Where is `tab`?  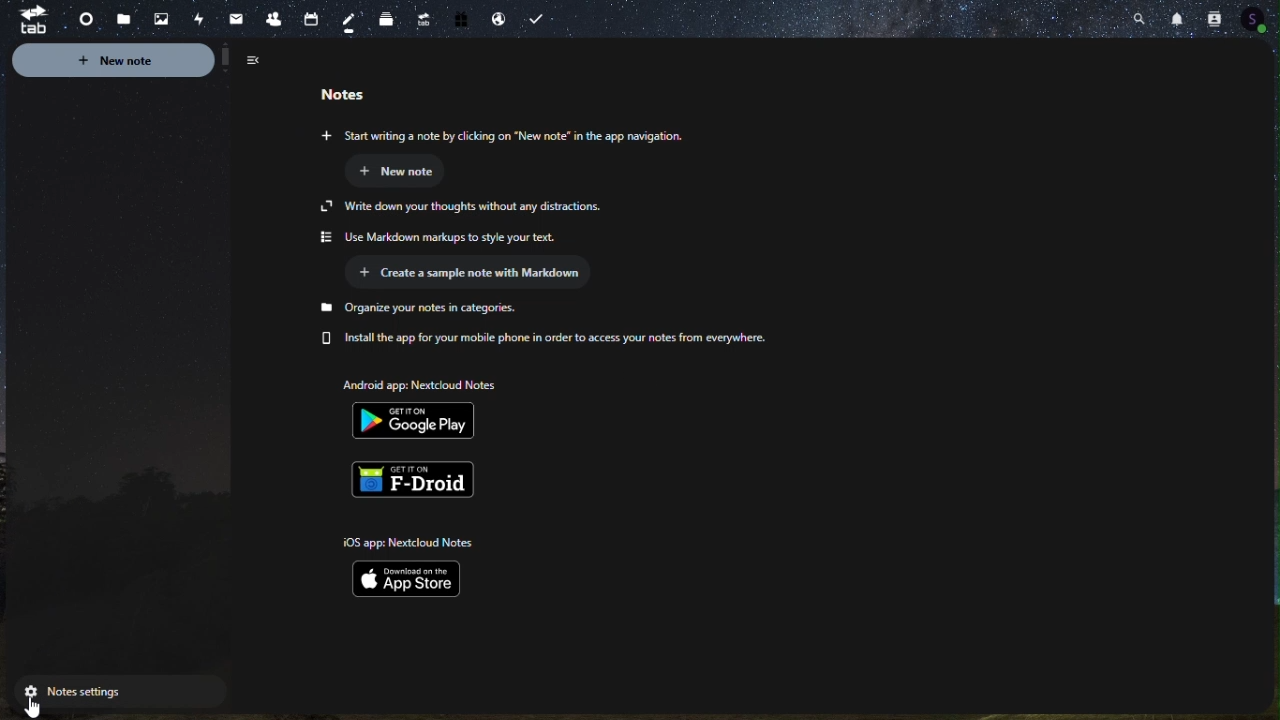 tab is located at coordinates (26, 20).